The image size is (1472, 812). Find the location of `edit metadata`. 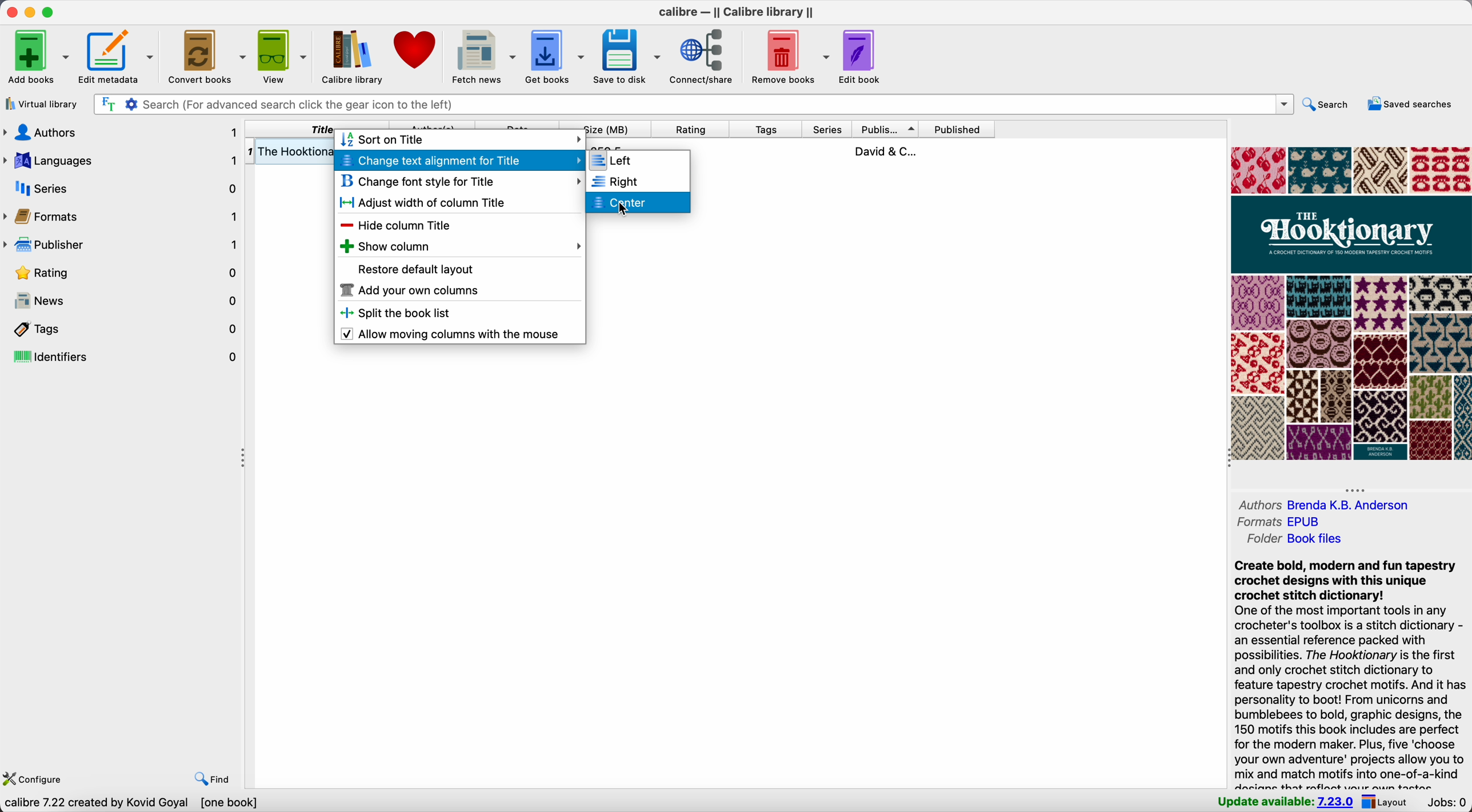

edit metadata is located at coordinates (122, 57).